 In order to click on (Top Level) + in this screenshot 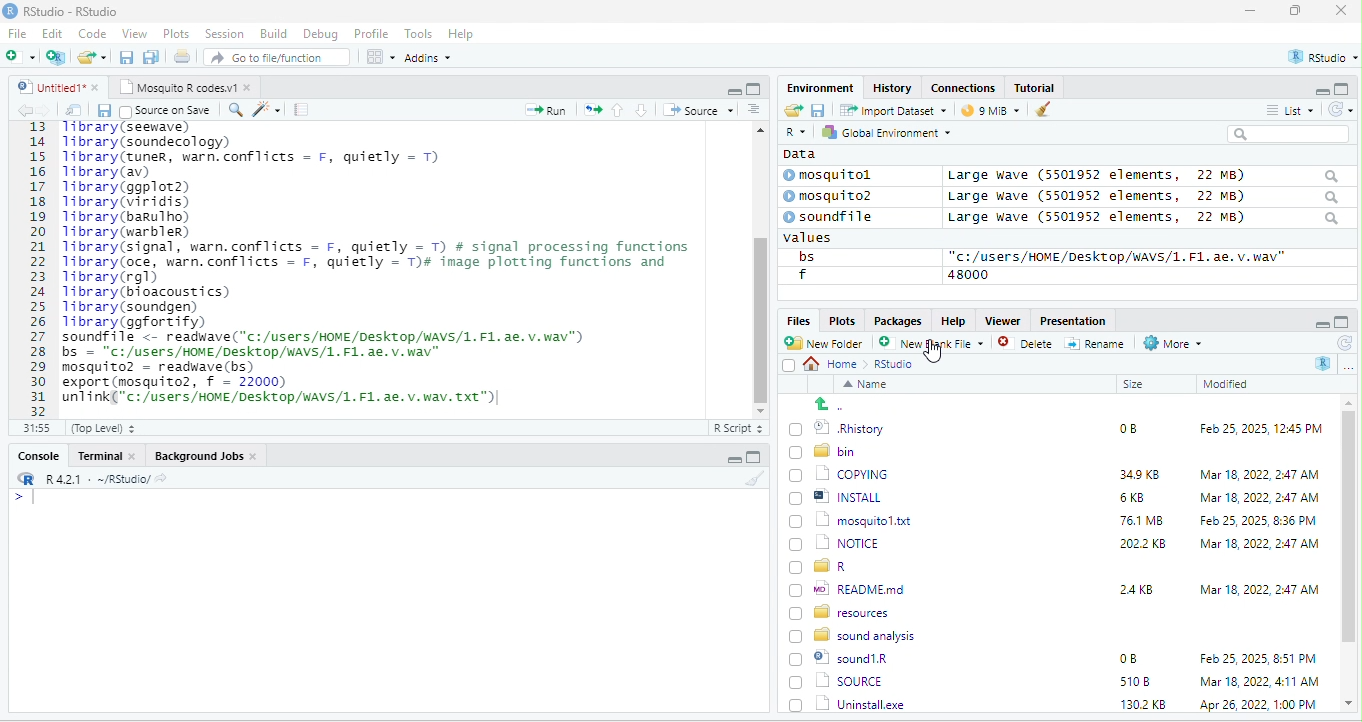, I will do `click(103, 428)`.